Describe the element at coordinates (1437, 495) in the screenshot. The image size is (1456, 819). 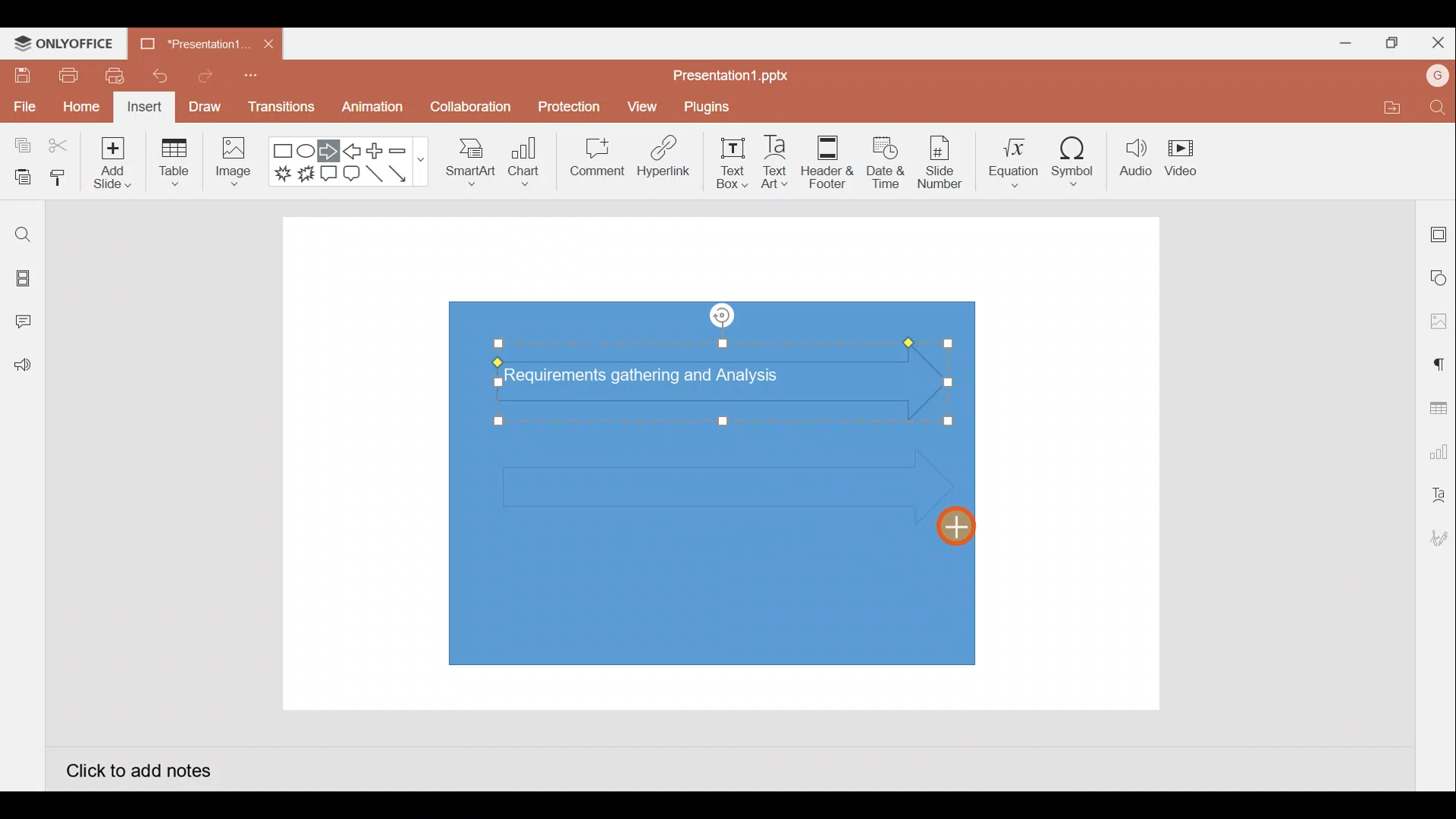
I see `Text Art settings` at that location.